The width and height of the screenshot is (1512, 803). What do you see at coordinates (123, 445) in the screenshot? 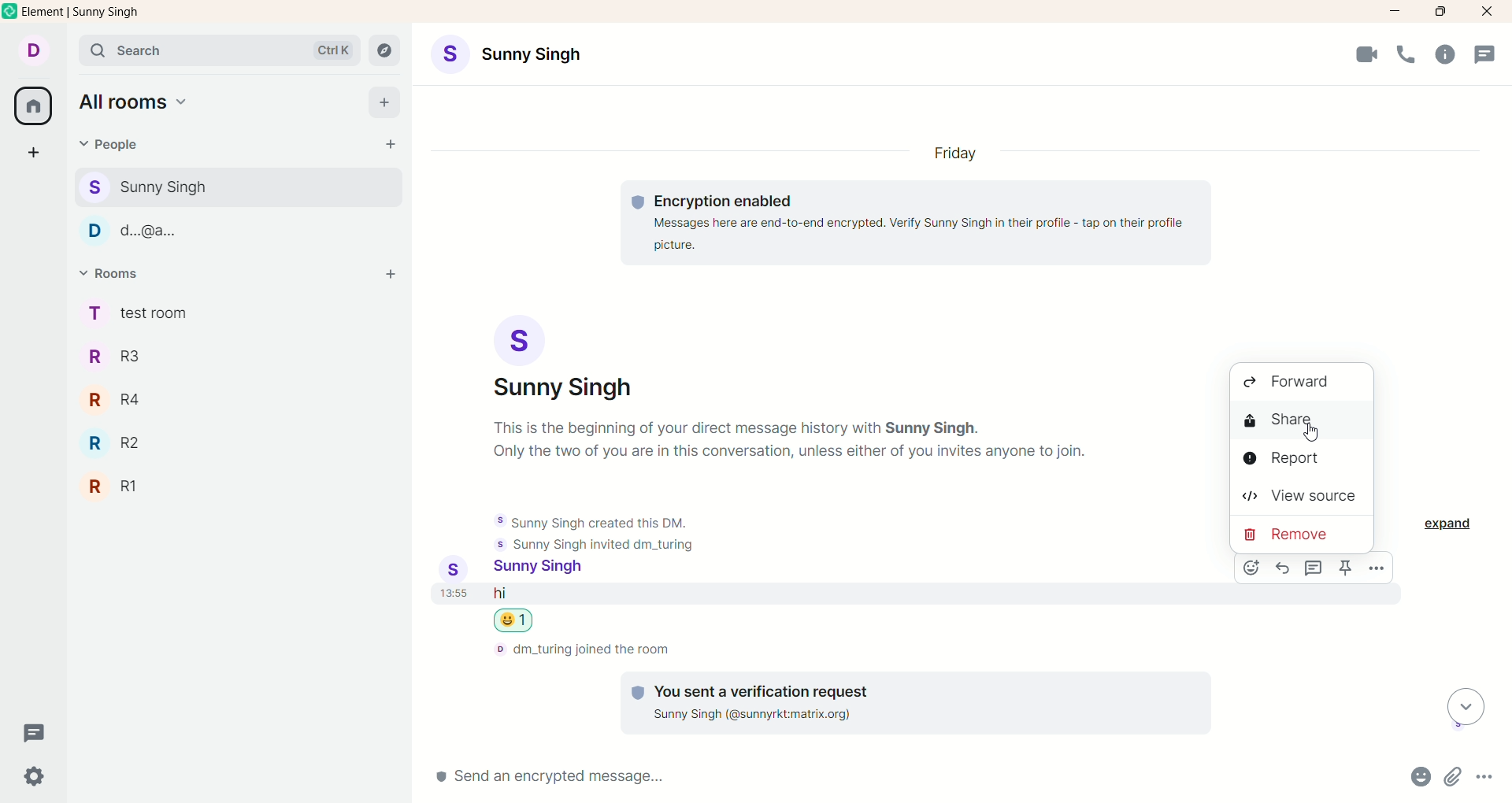
I see `R2` at bounding box center [123, 445].